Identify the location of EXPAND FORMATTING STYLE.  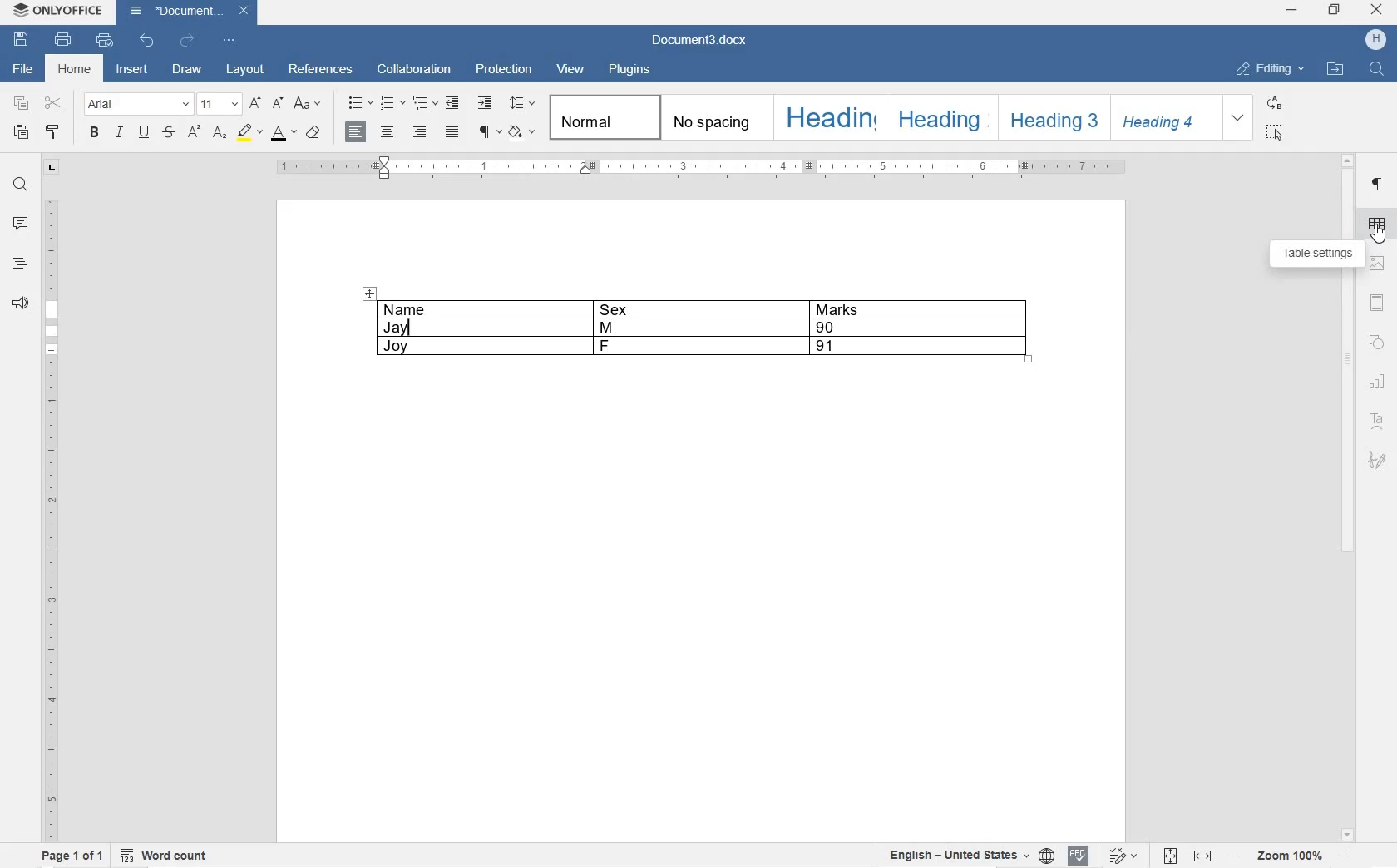
(1238, 118).